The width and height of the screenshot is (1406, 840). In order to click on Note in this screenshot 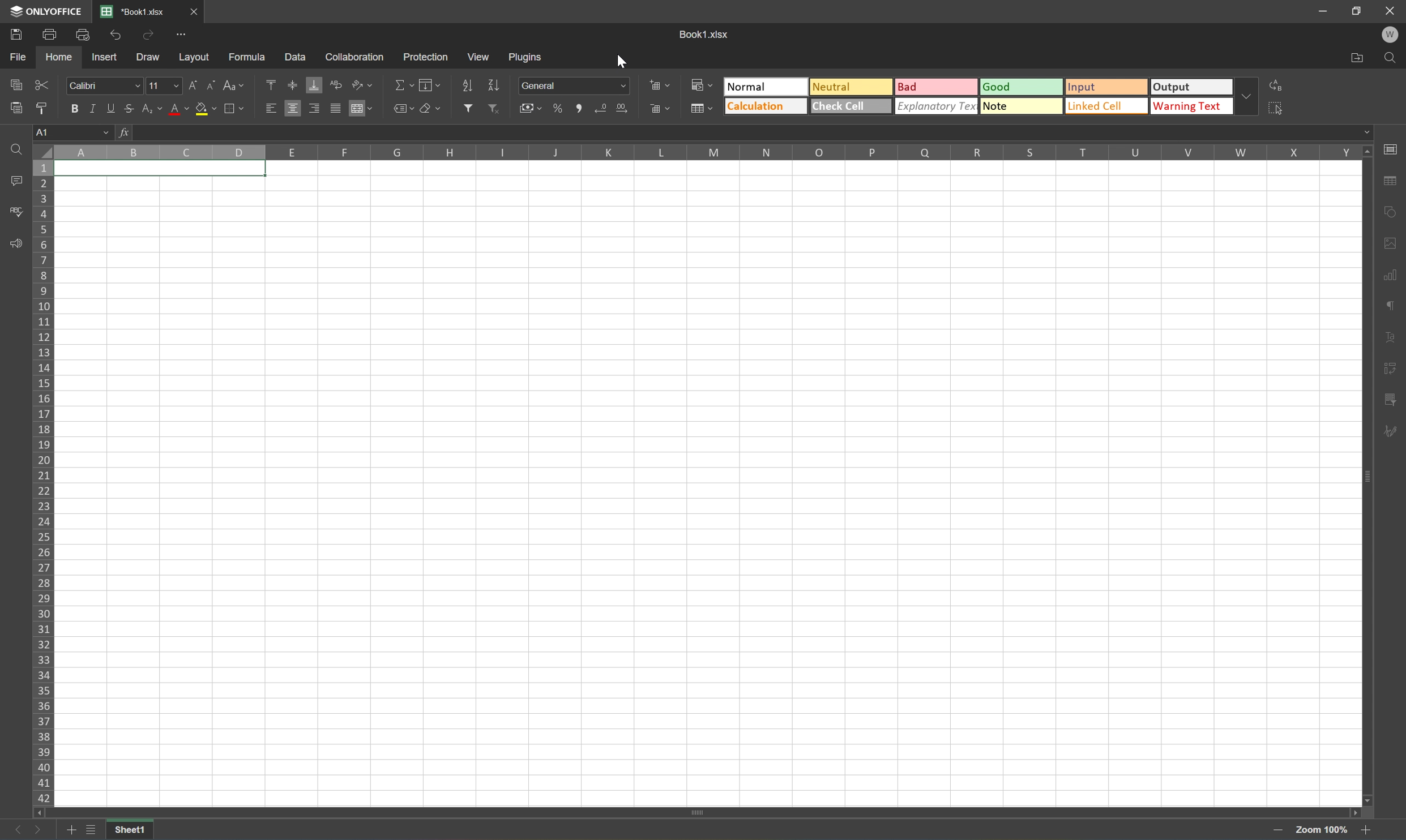, I will do `click(1020, 106)`.